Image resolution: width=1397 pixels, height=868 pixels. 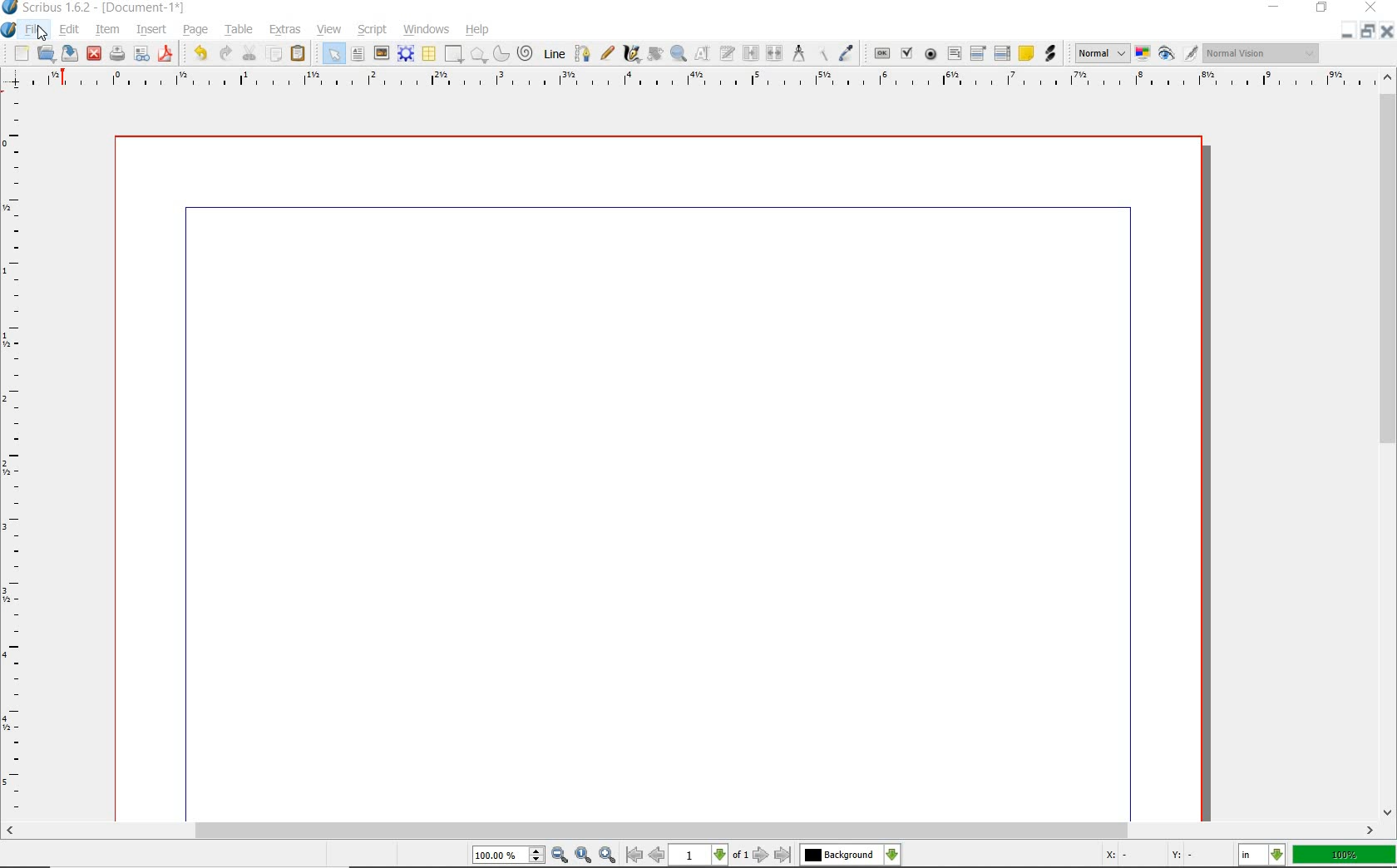 What do you see at coordinates (555, 53) in the screenshot?
I see `line` at bounding box center [555, 53].